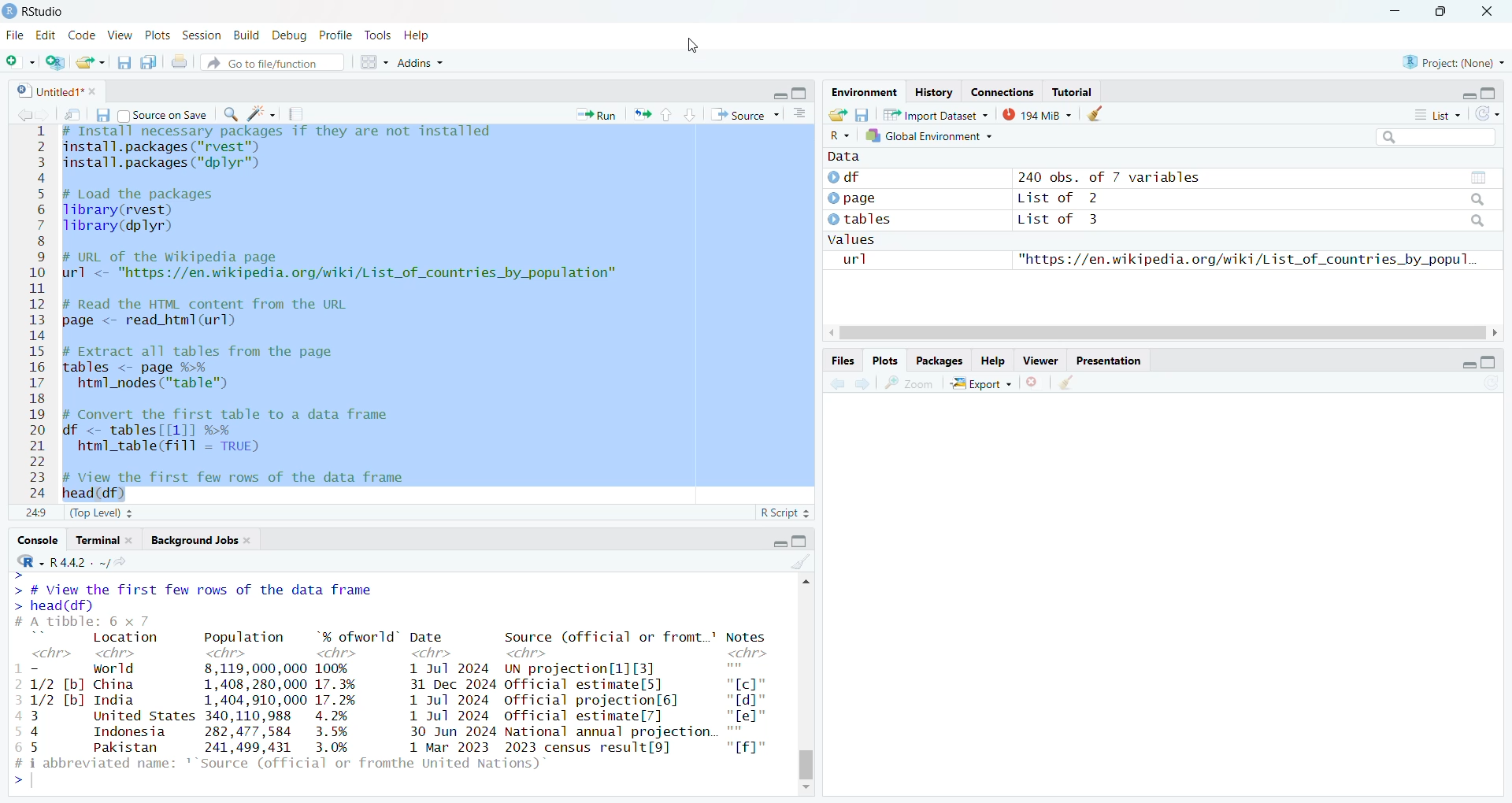  I want to click on list menu, so click(1436, 115).